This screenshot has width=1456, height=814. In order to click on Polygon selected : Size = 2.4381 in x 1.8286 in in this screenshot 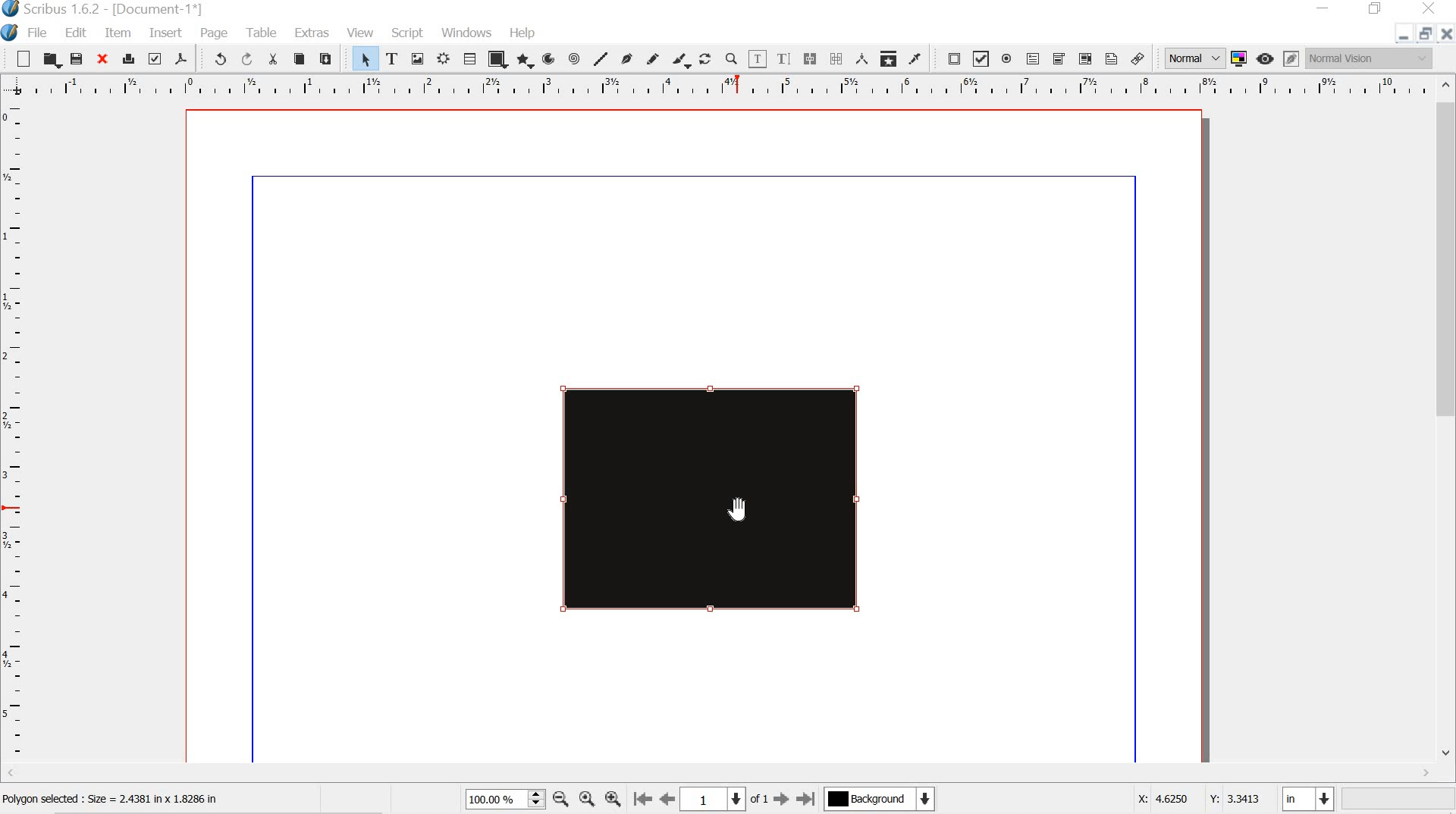, I will do `click(118, 800)`.